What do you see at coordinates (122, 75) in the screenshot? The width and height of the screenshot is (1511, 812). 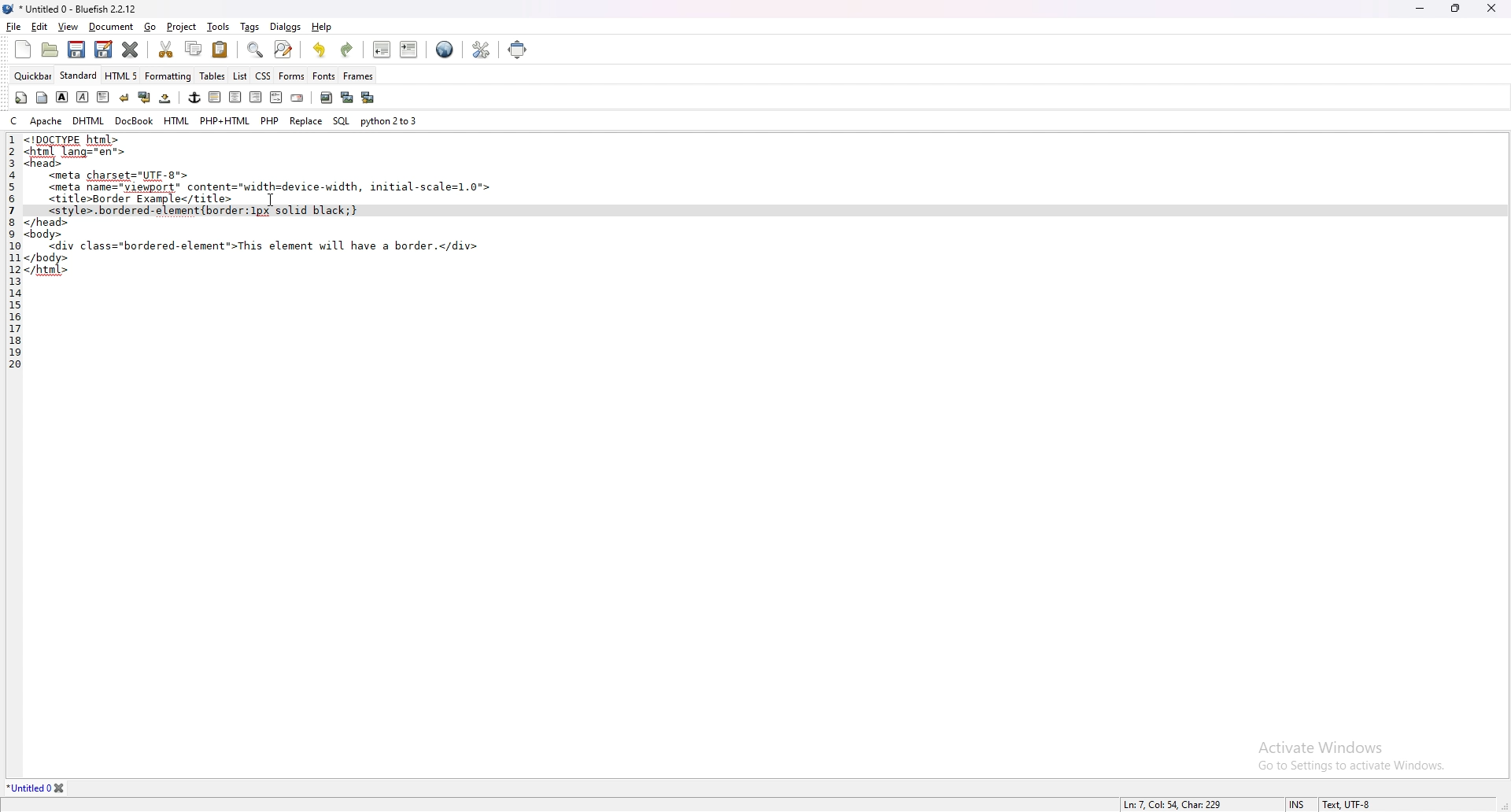 I see `html 5` at bounding box center [122, 75].